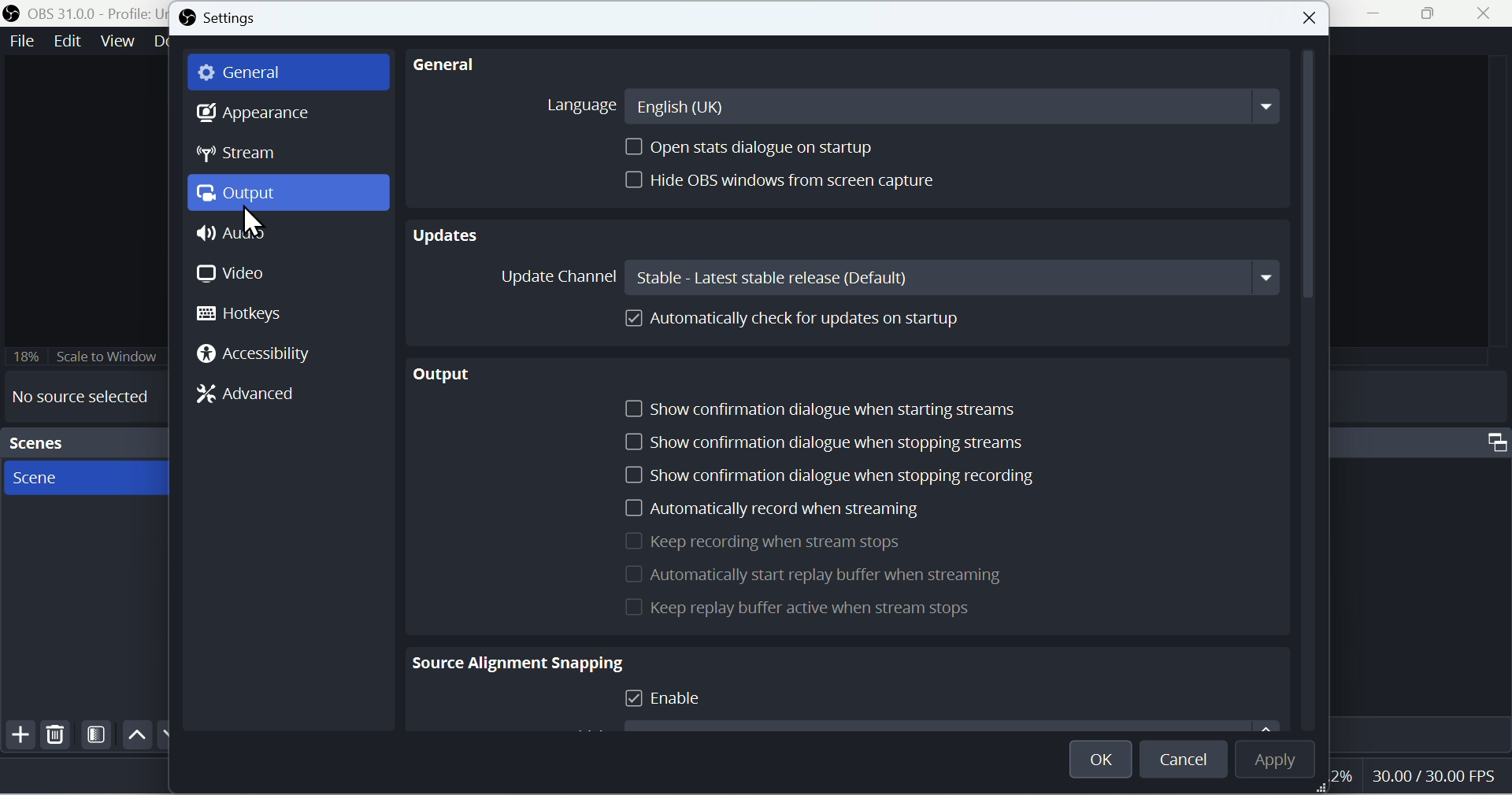 This screenshot has width=1512, height=795. Describe the element at coordinates (458, 67) in the screenshot. I see `general` at that location.